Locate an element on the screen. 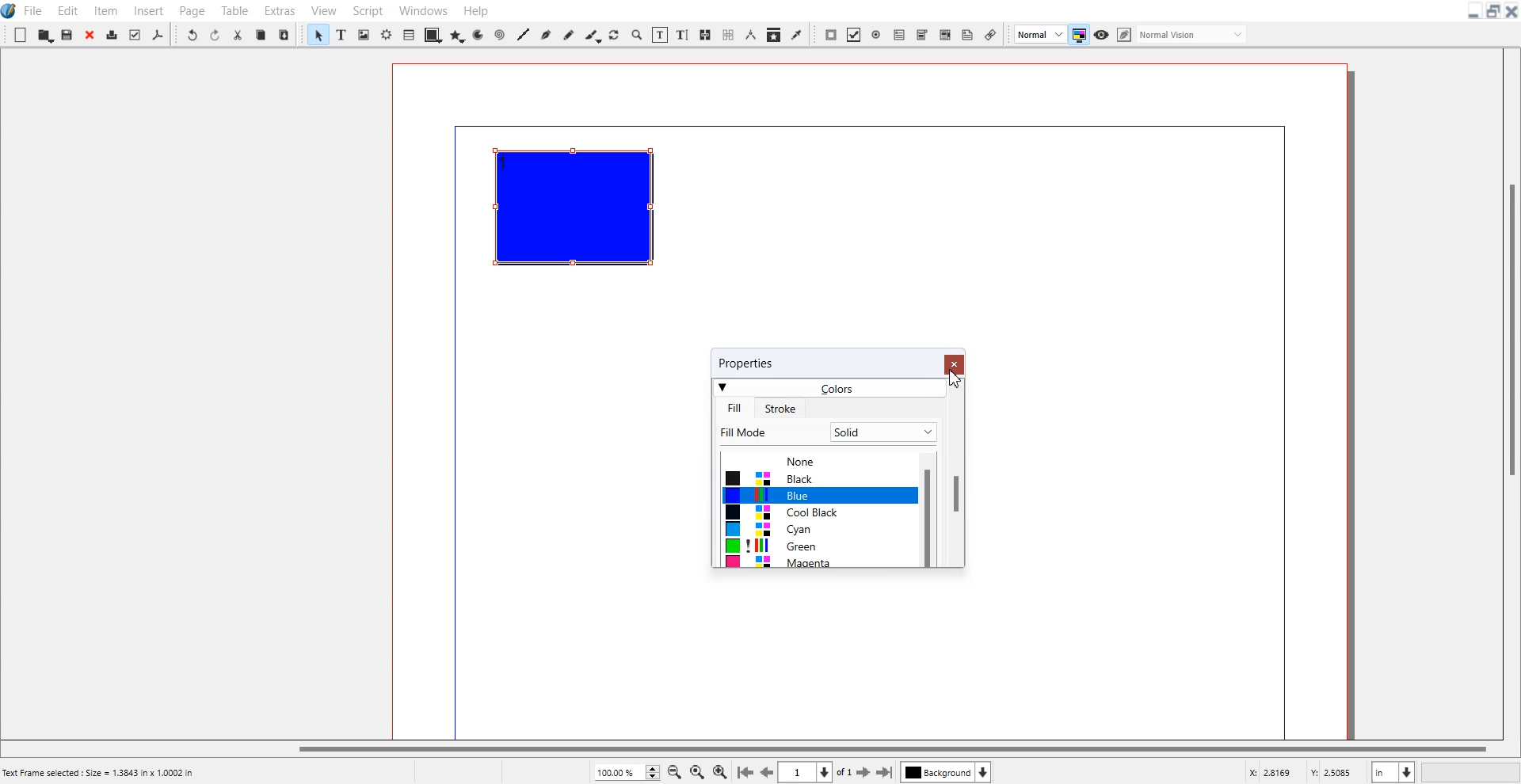  Select layer background is located at coordinates (945, 772).